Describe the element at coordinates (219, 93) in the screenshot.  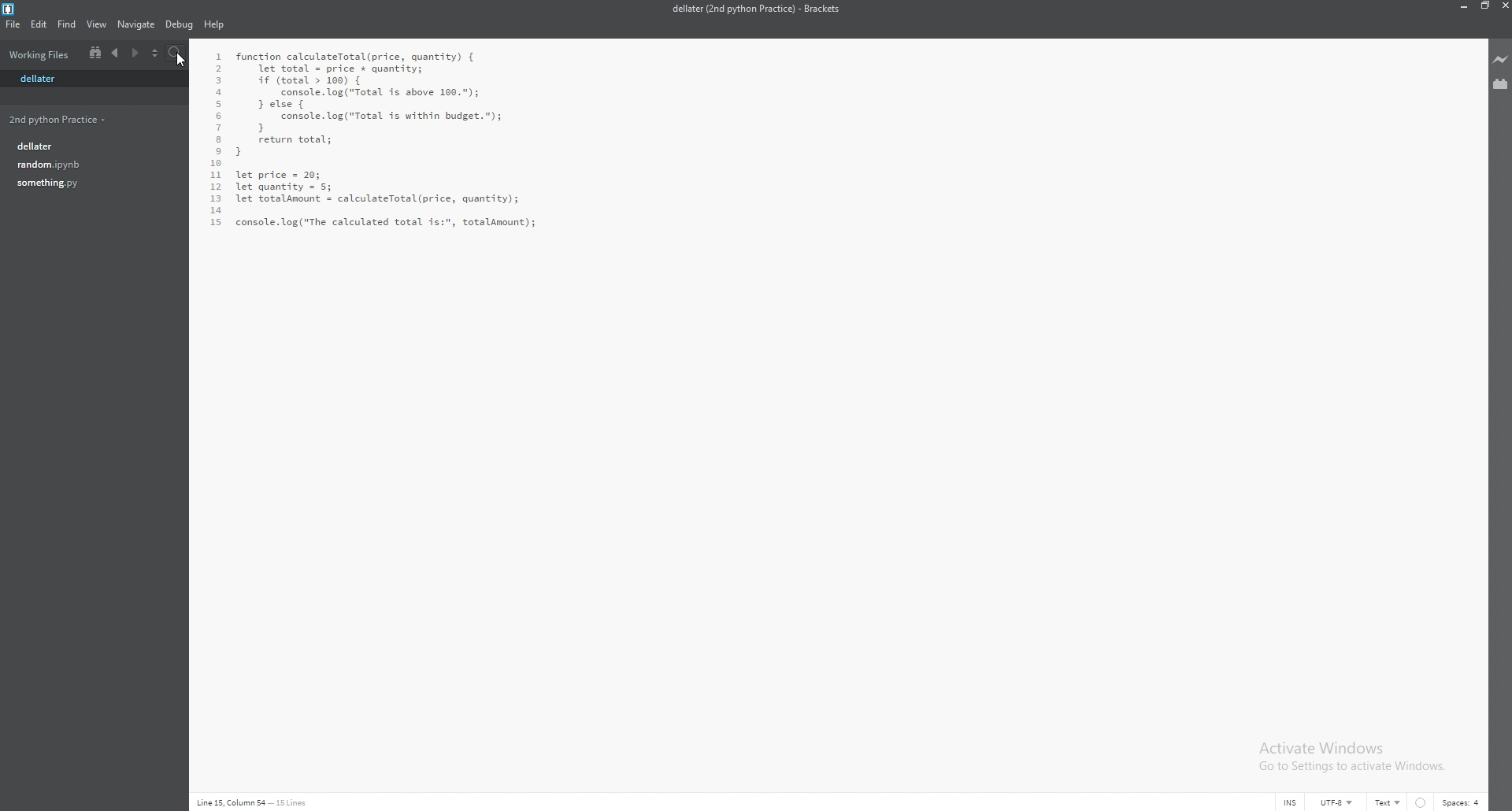
I see `4` at that location.